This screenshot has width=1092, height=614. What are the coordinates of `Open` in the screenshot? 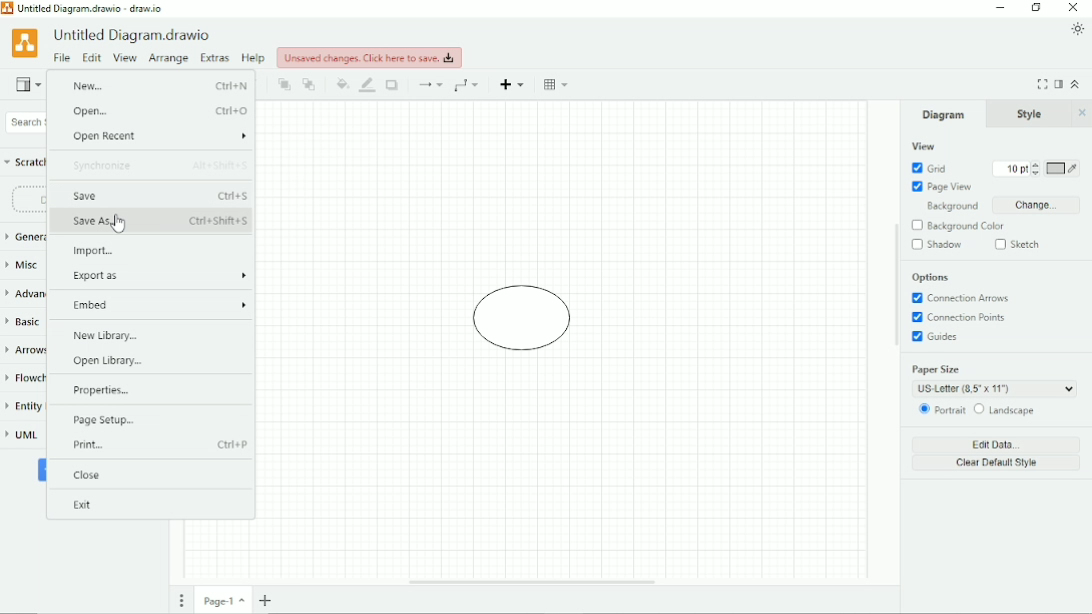 It's located at (159, 111).